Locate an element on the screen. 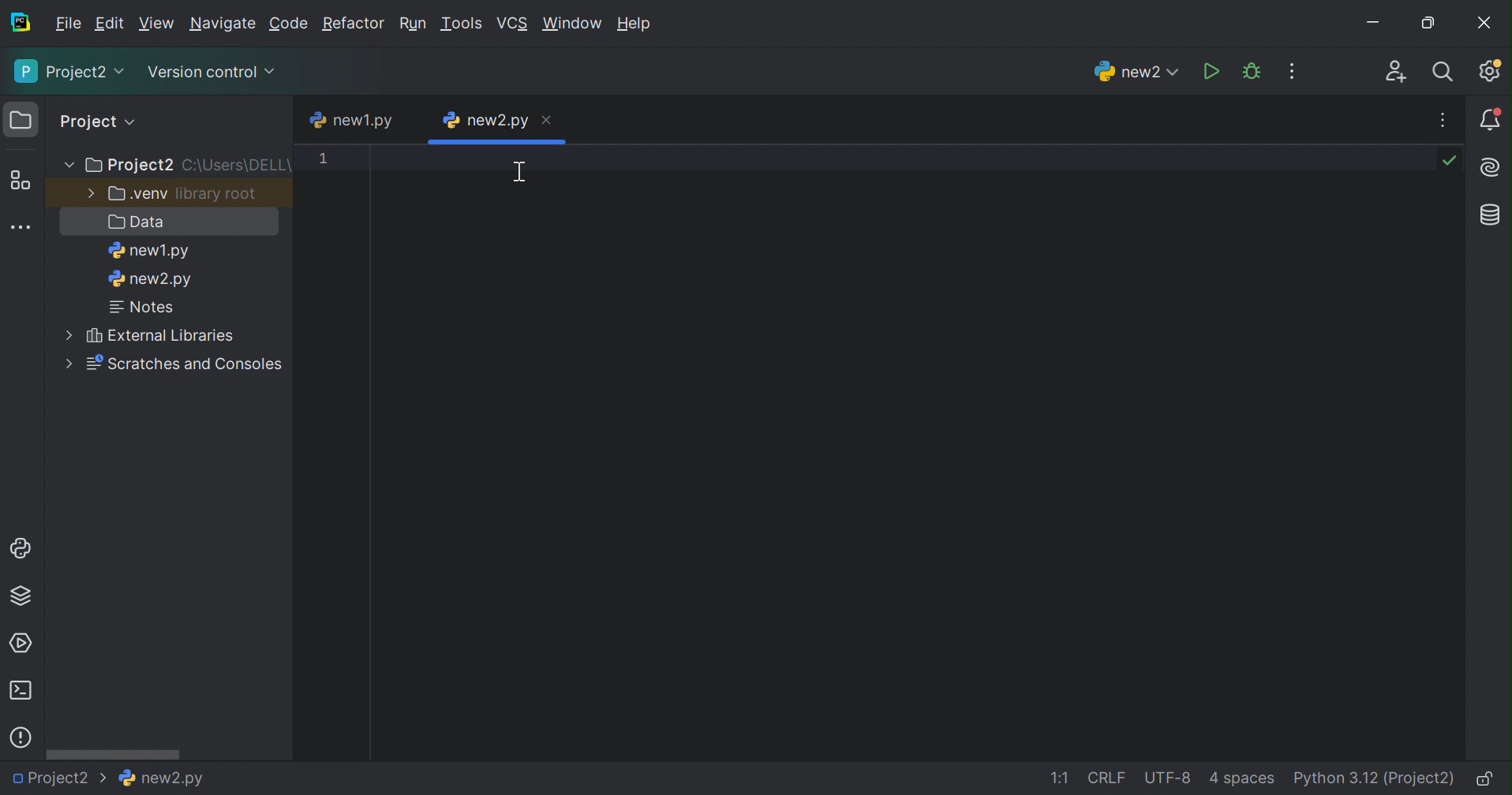 This screenshot has width=1512, height=795. 1 is located at coordinates (324, 161).